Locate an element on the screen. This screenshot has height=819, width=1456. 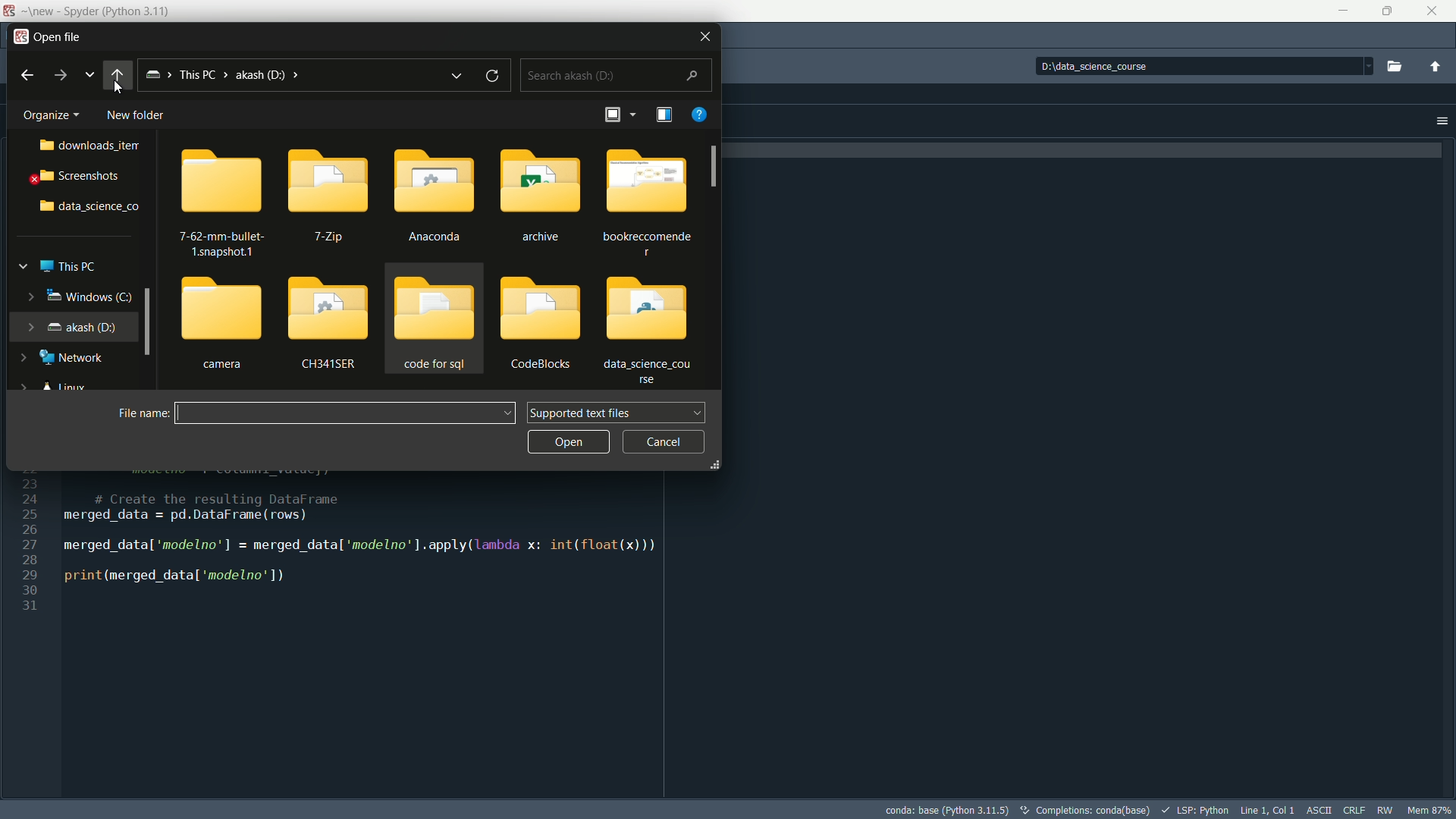
expand is located at coordinates (29, 296).